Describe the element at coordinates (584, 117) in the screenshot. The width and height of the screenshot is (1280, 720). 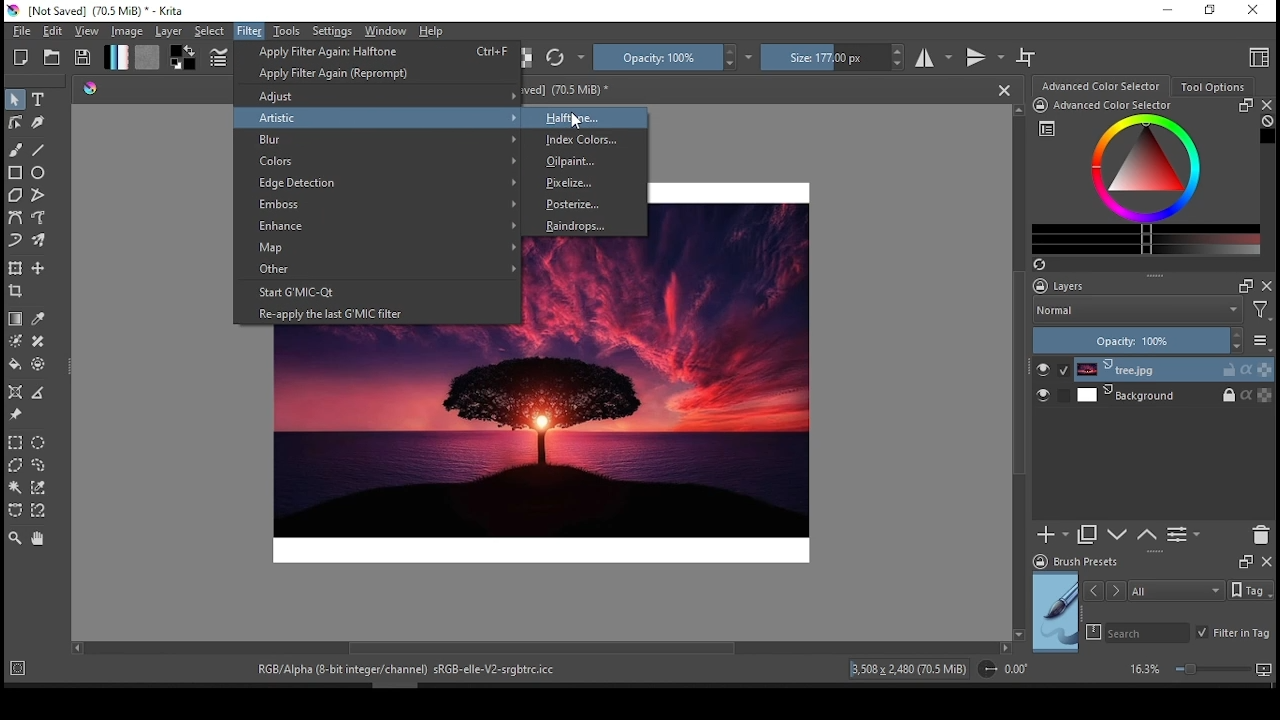
I see `halftone` at that location.